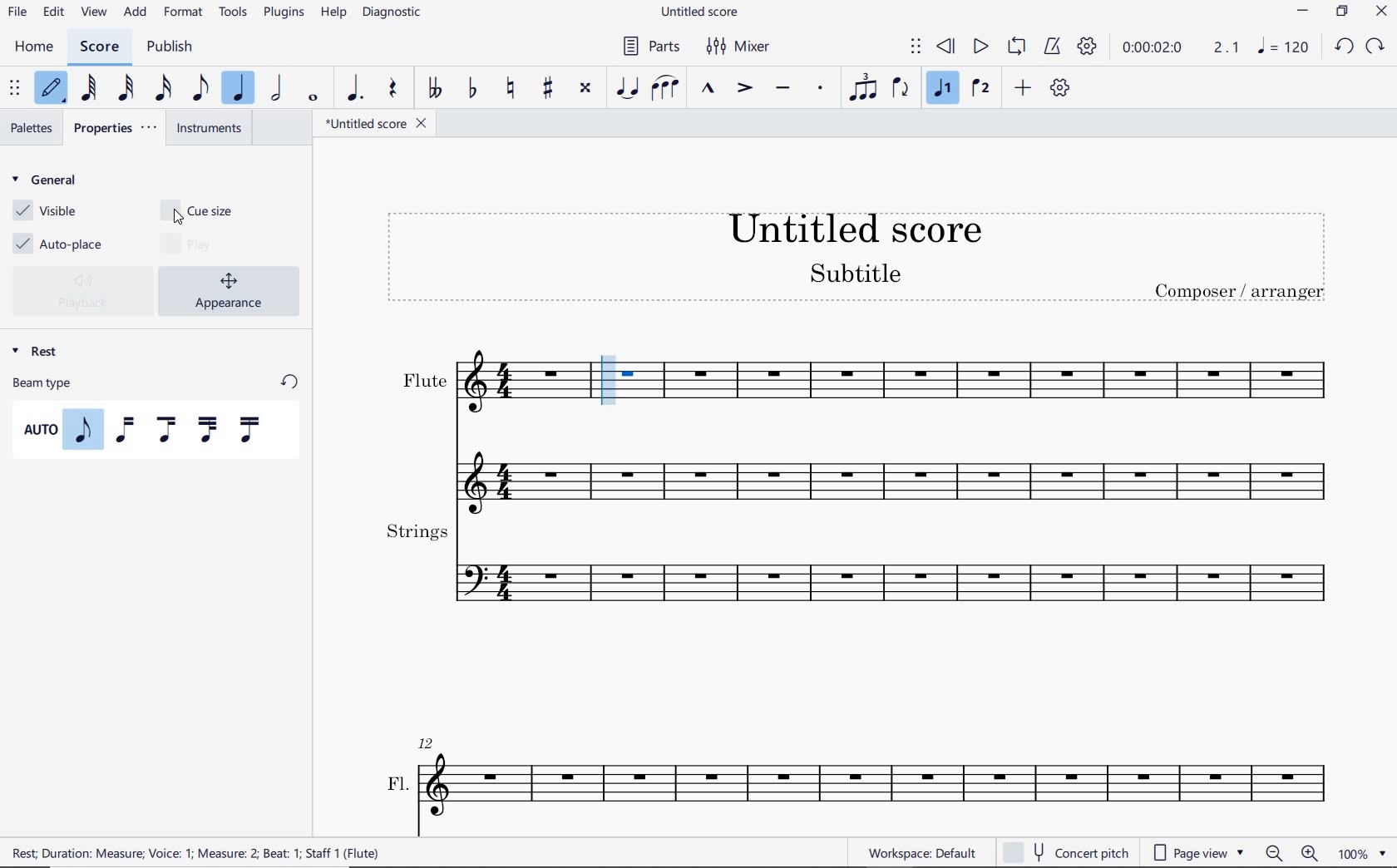  I want to click on page view, so click(1197, 851).